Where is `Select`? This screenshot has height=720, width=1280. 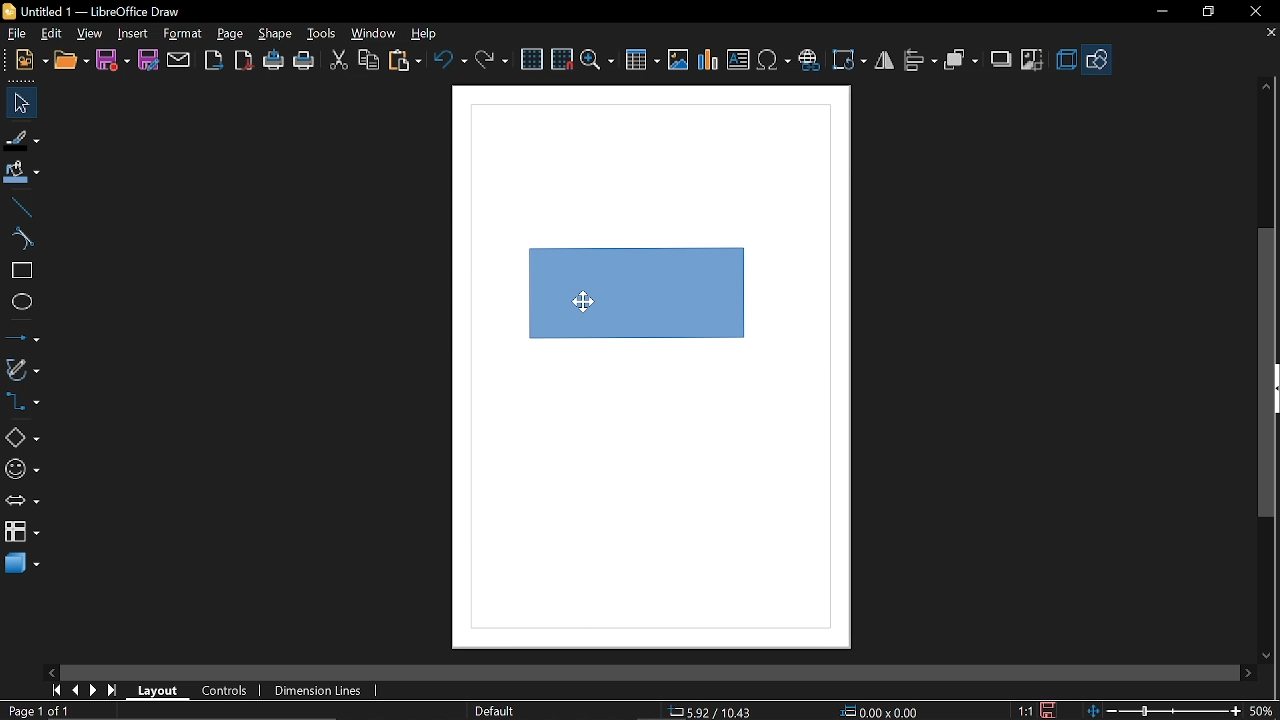 Select is located at coordinates (20, 104).